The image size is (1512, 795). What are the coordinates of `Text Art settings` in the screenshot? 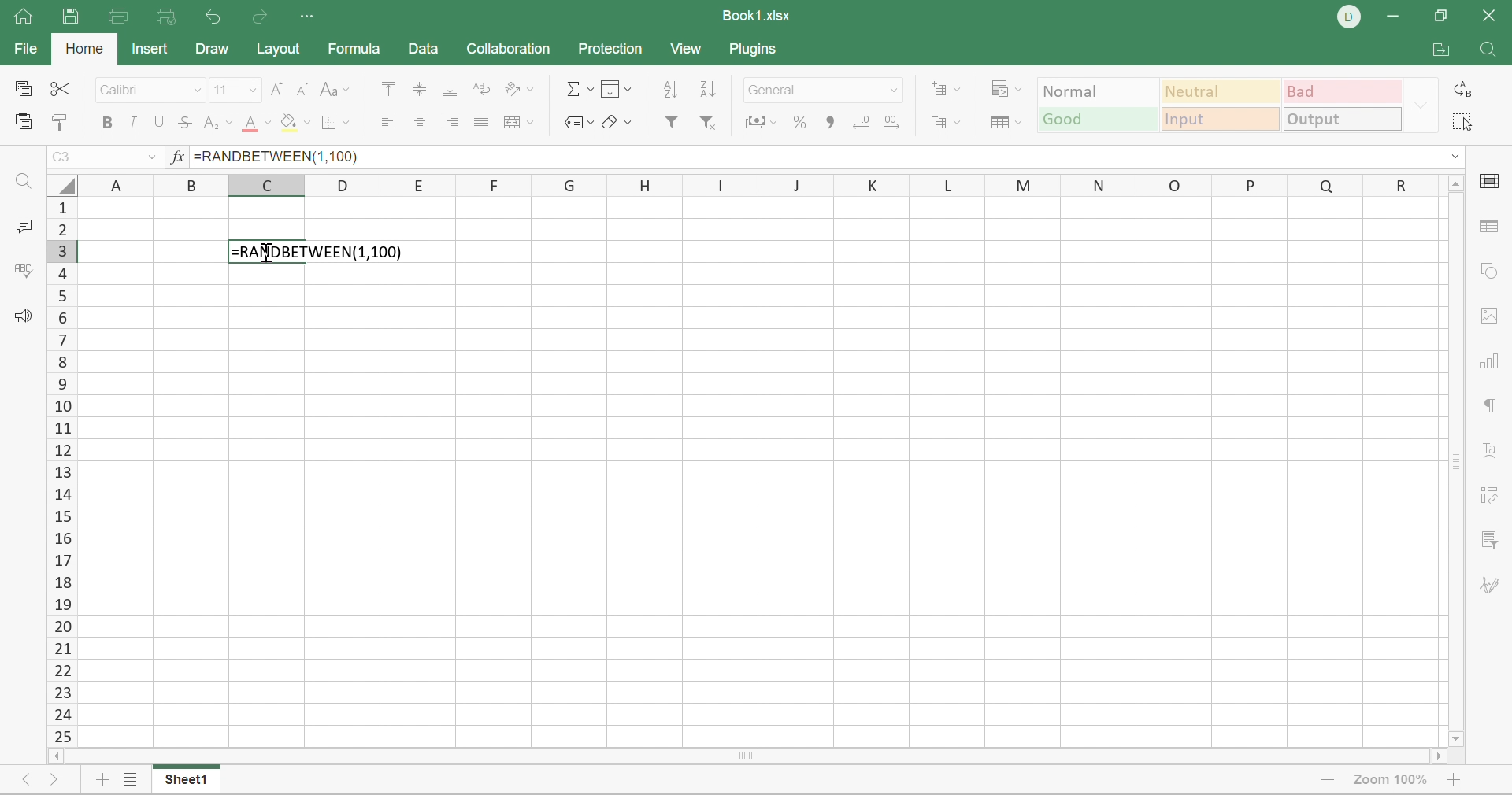 It's located at (1492, 450).